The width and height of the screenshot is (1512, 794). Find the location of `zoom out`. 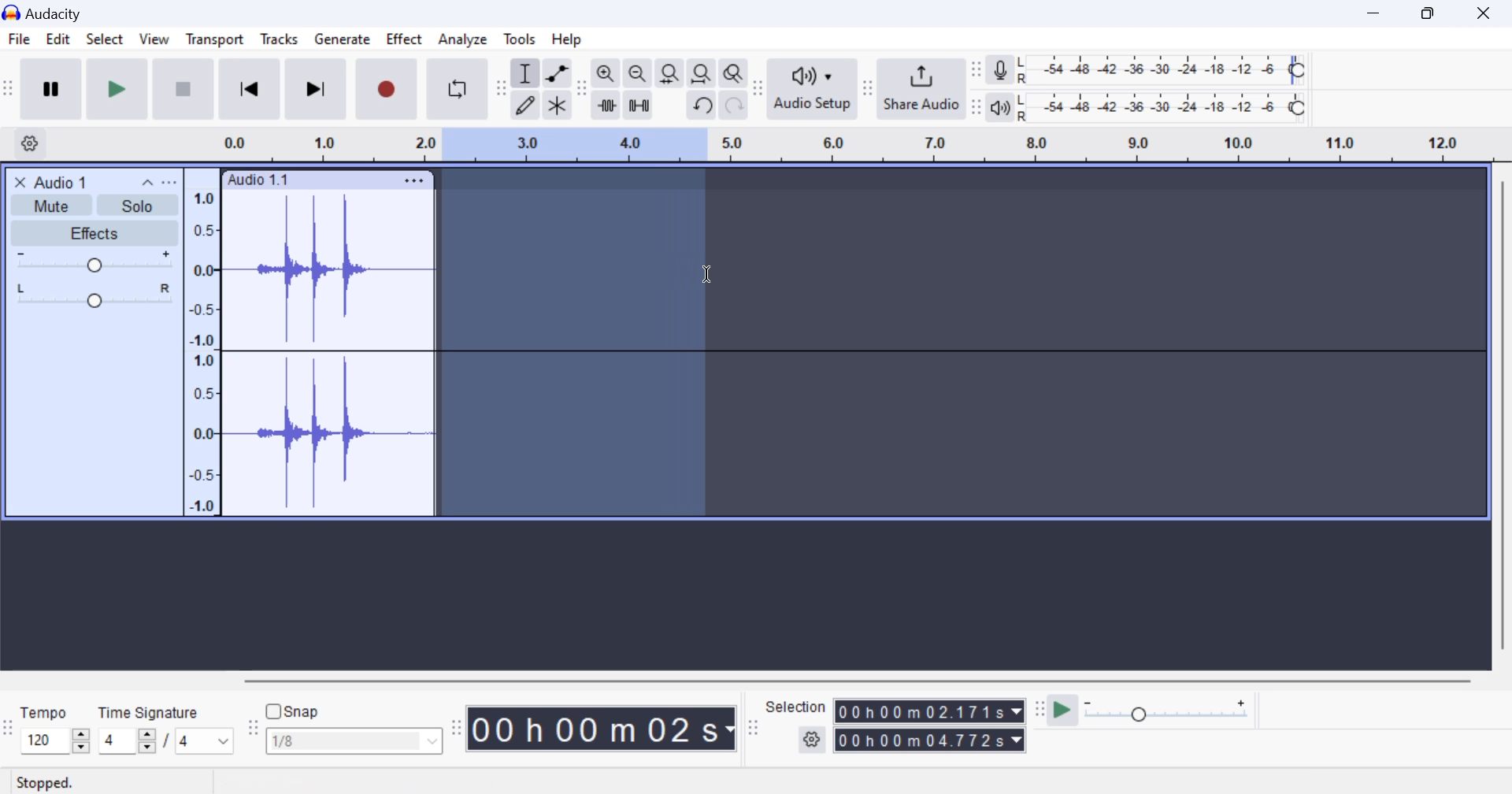

zoom out is located at coordinates (637, 75).